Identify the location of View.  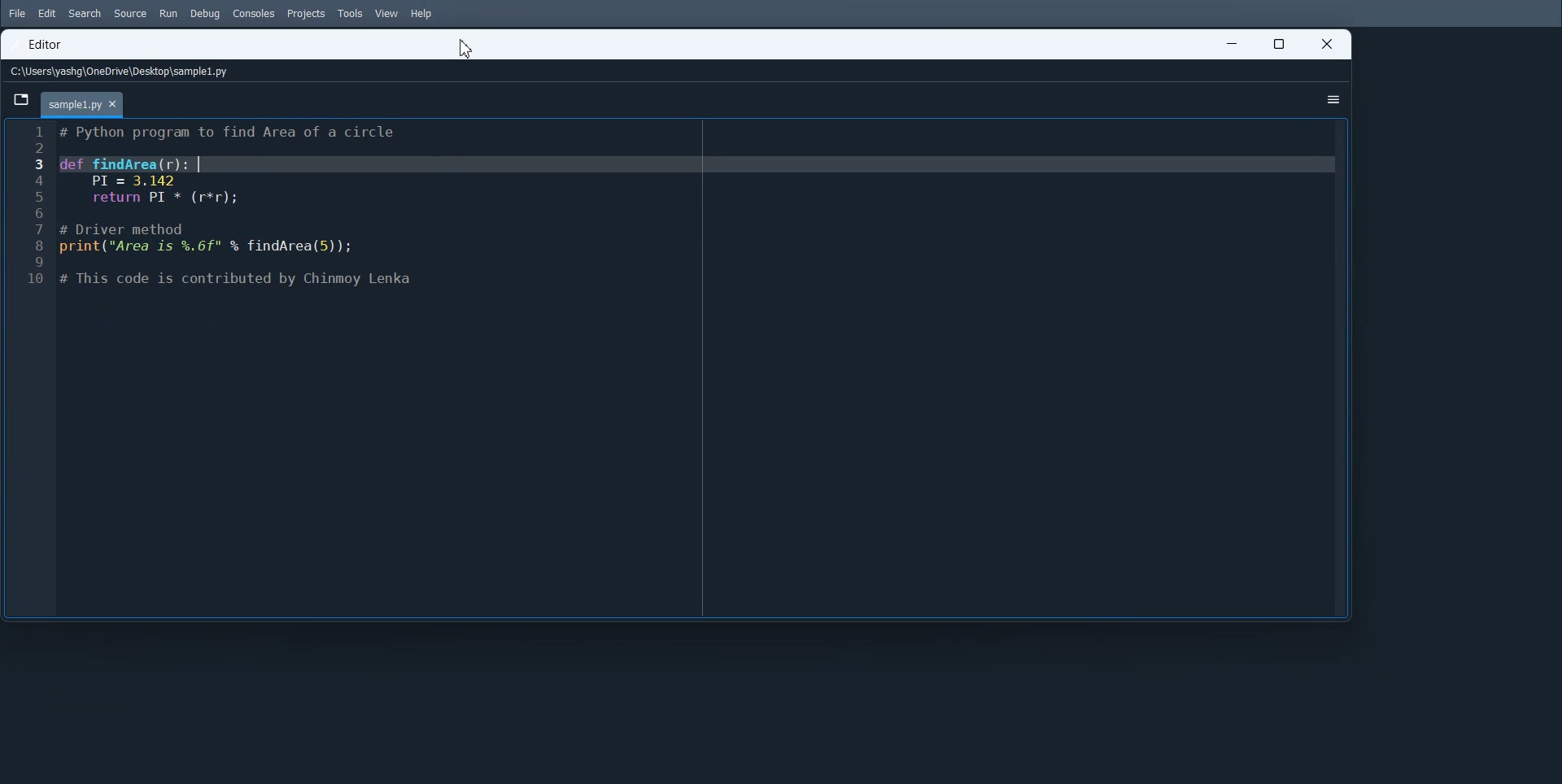
(386, 13).